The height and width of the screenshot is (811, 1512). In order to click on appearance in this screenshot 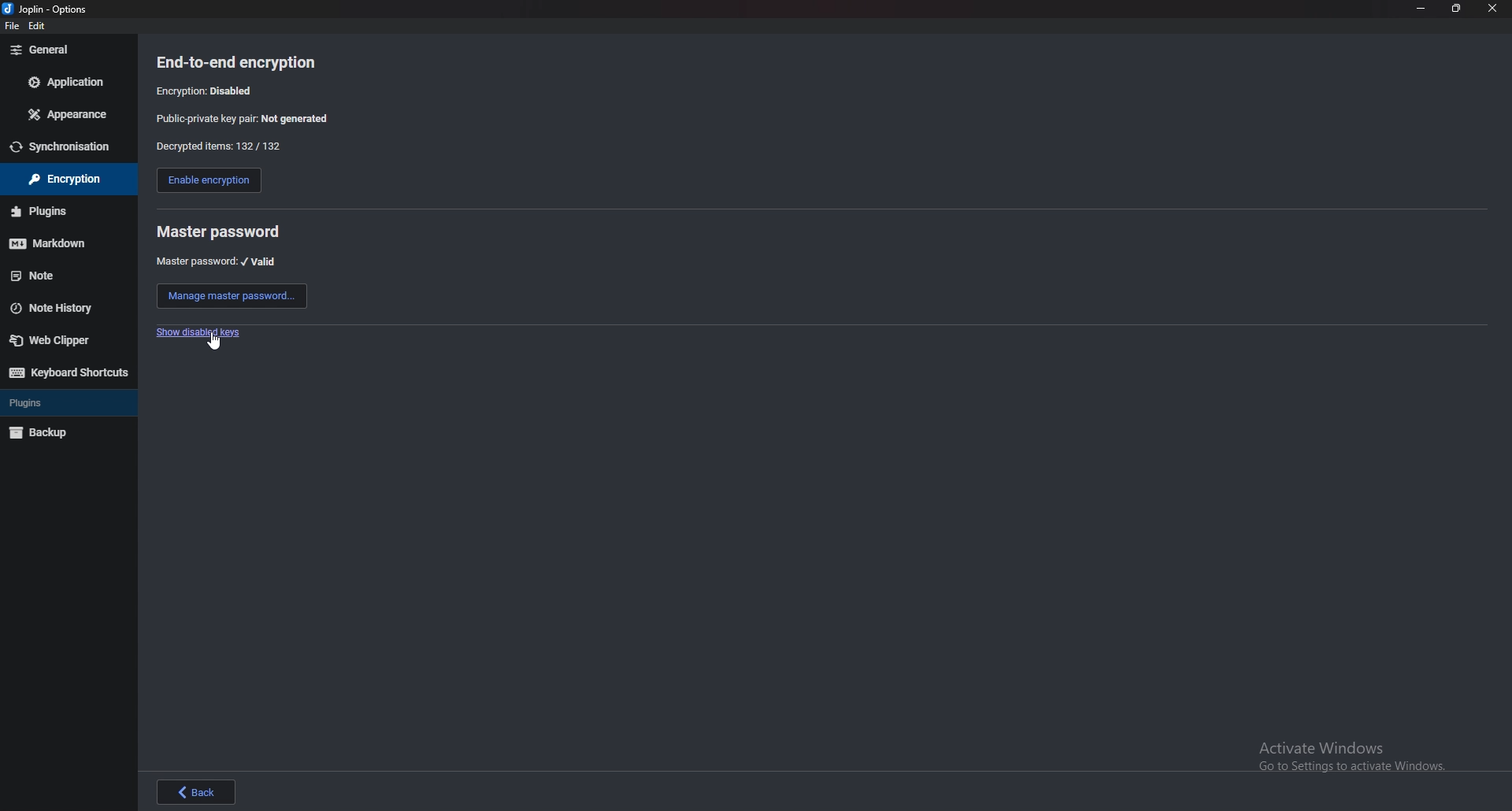, I will do `click(65, 115)`.